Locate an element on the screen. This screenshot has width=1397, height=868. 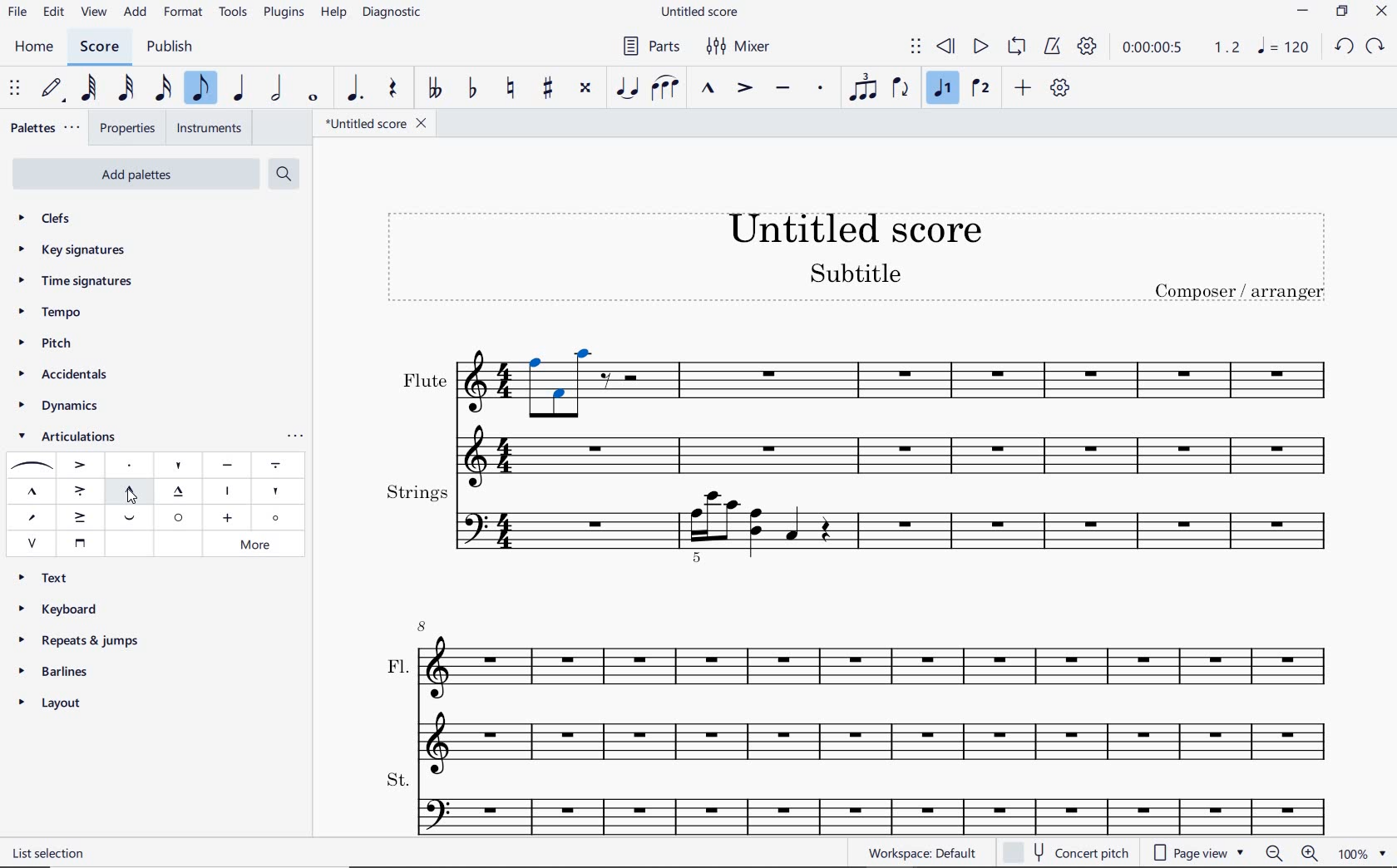
ACCENT-STACCATO ABOVE is located at coordinates (80, 490).